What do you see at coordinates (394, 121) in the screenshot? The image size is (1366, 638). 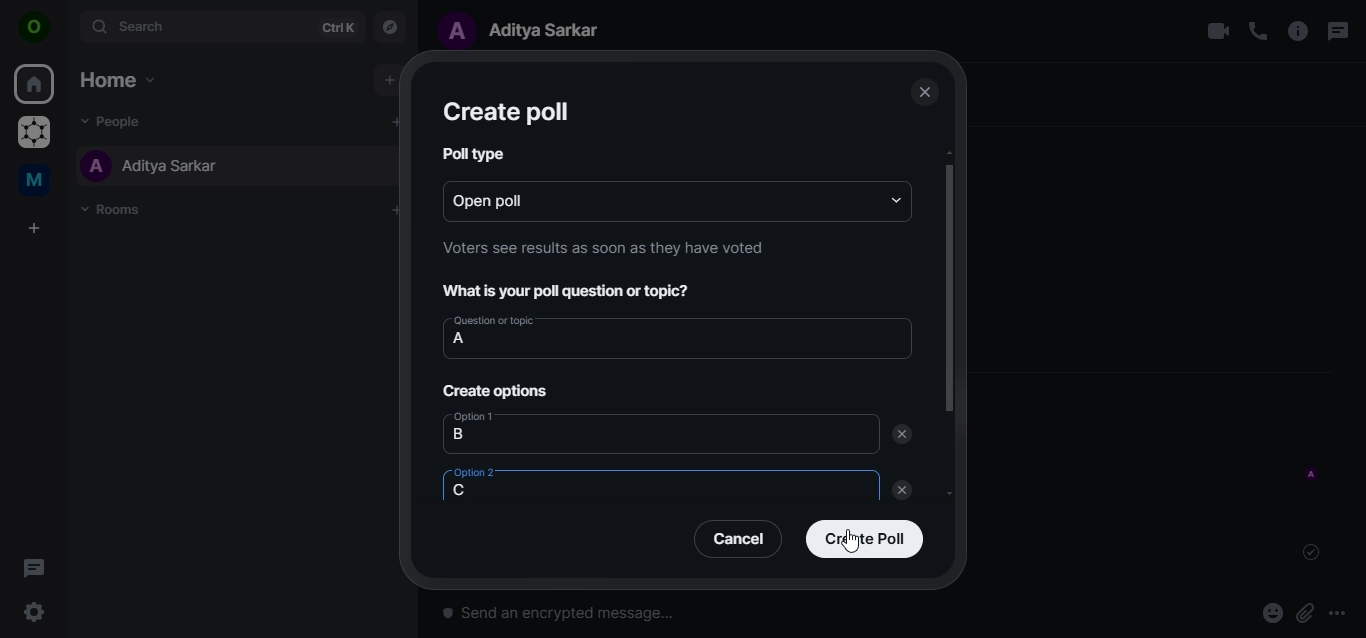 I see `add` at bounding box center [394, 121].